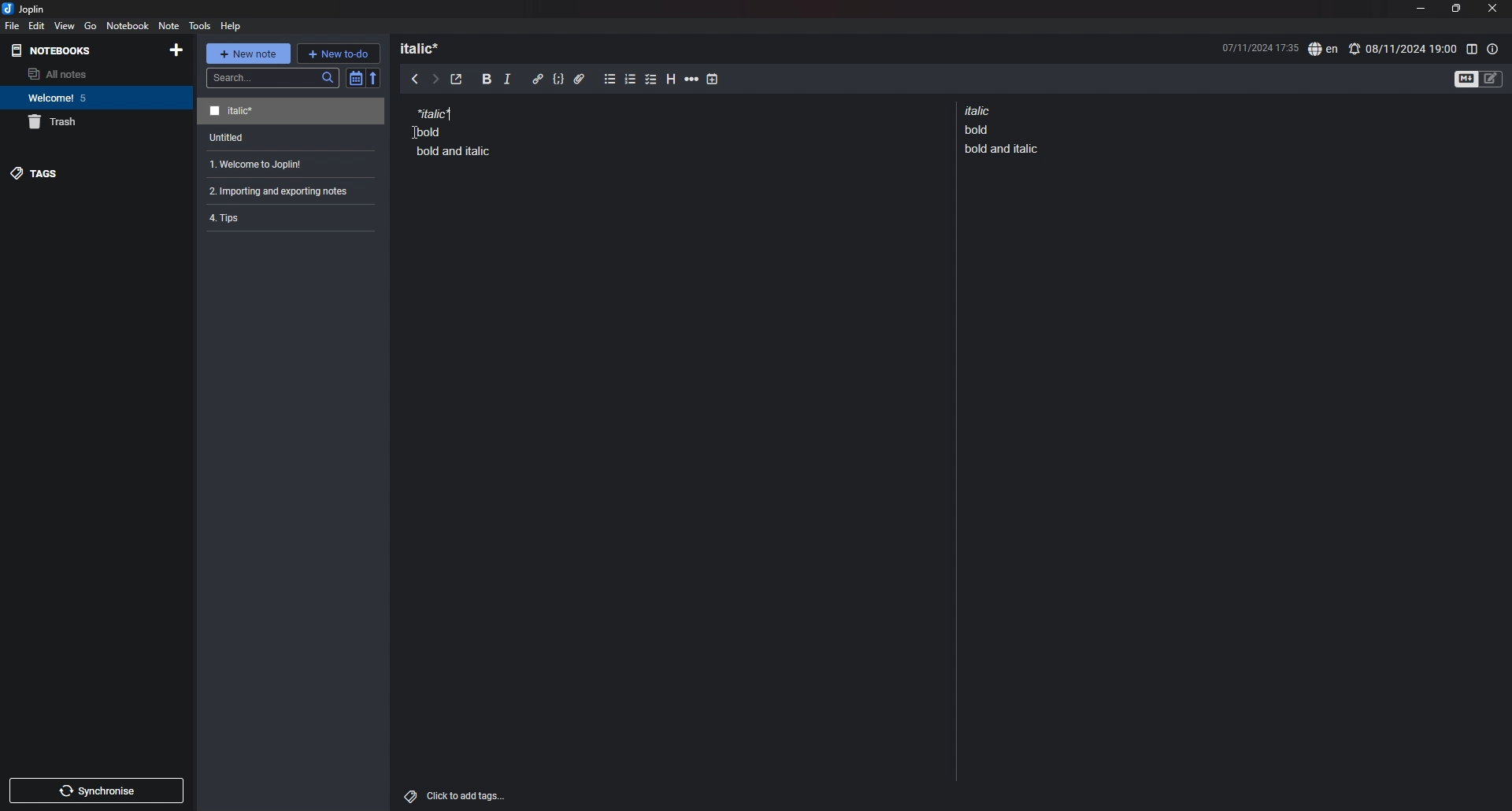 Image resolution: width=1512 pixels, height=811 pixels. Describe the element at coordinates (1403, 48) in the screenshot. I see `set alarm` at that location.